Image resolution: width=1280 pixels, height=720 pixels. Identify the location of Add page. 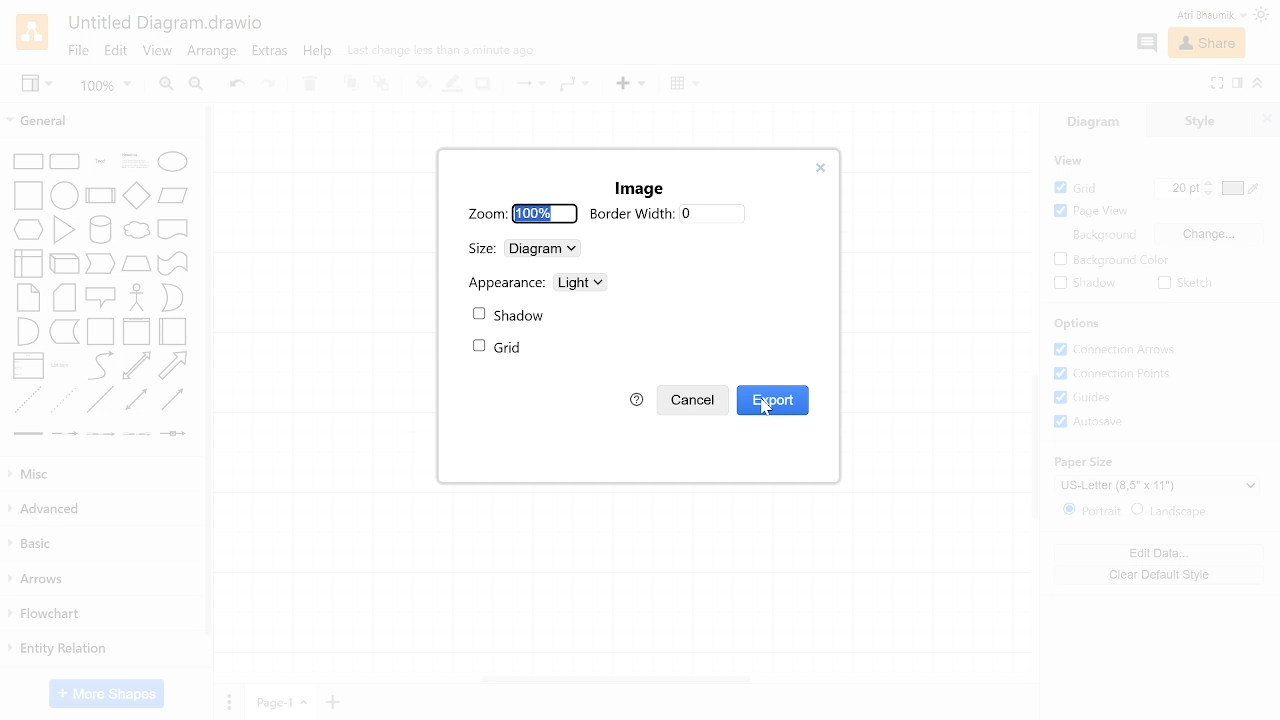
(332, 702).